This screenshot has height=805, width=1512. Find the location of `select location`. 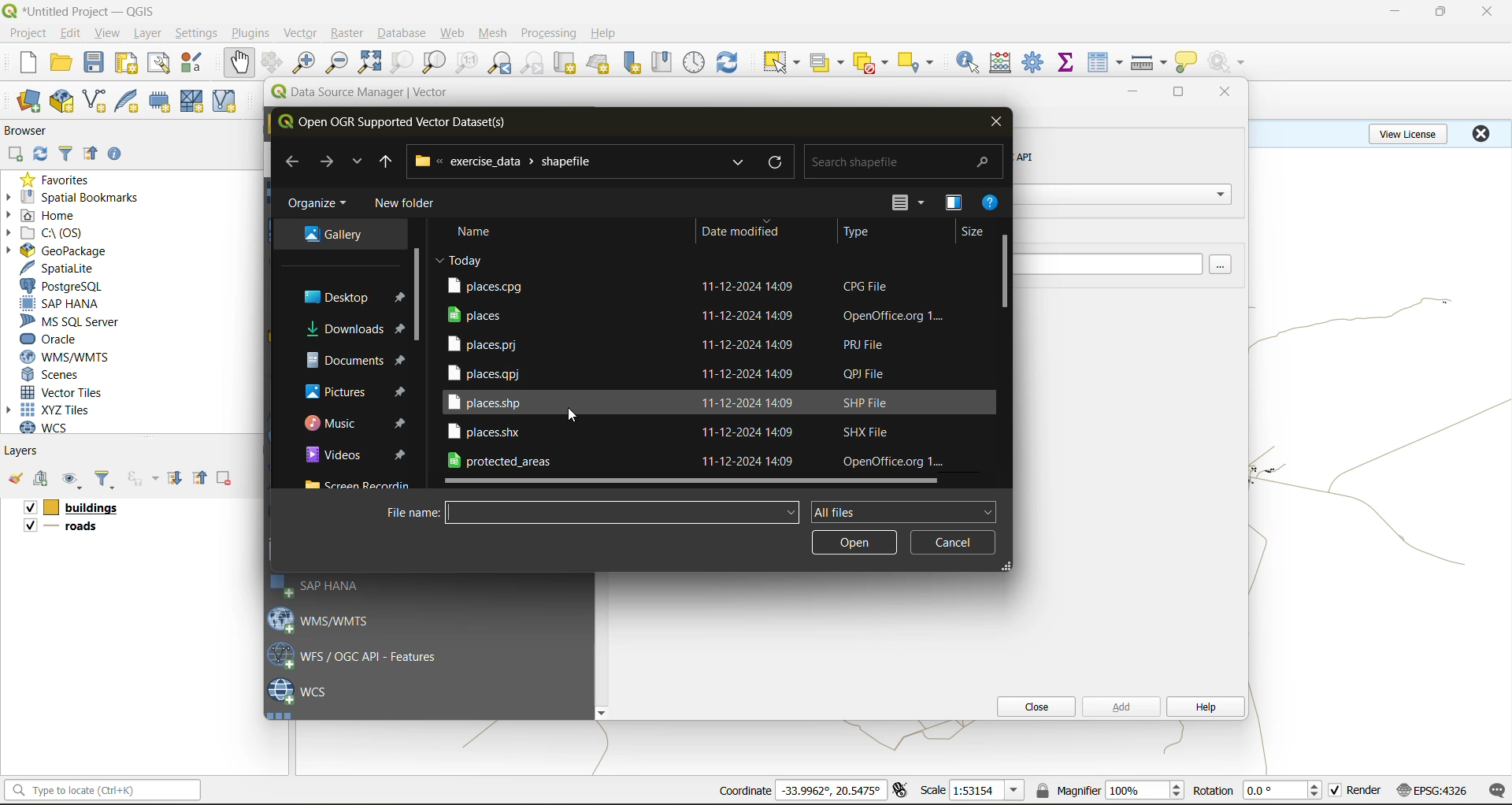

select location is located at coordinates (921, 61).